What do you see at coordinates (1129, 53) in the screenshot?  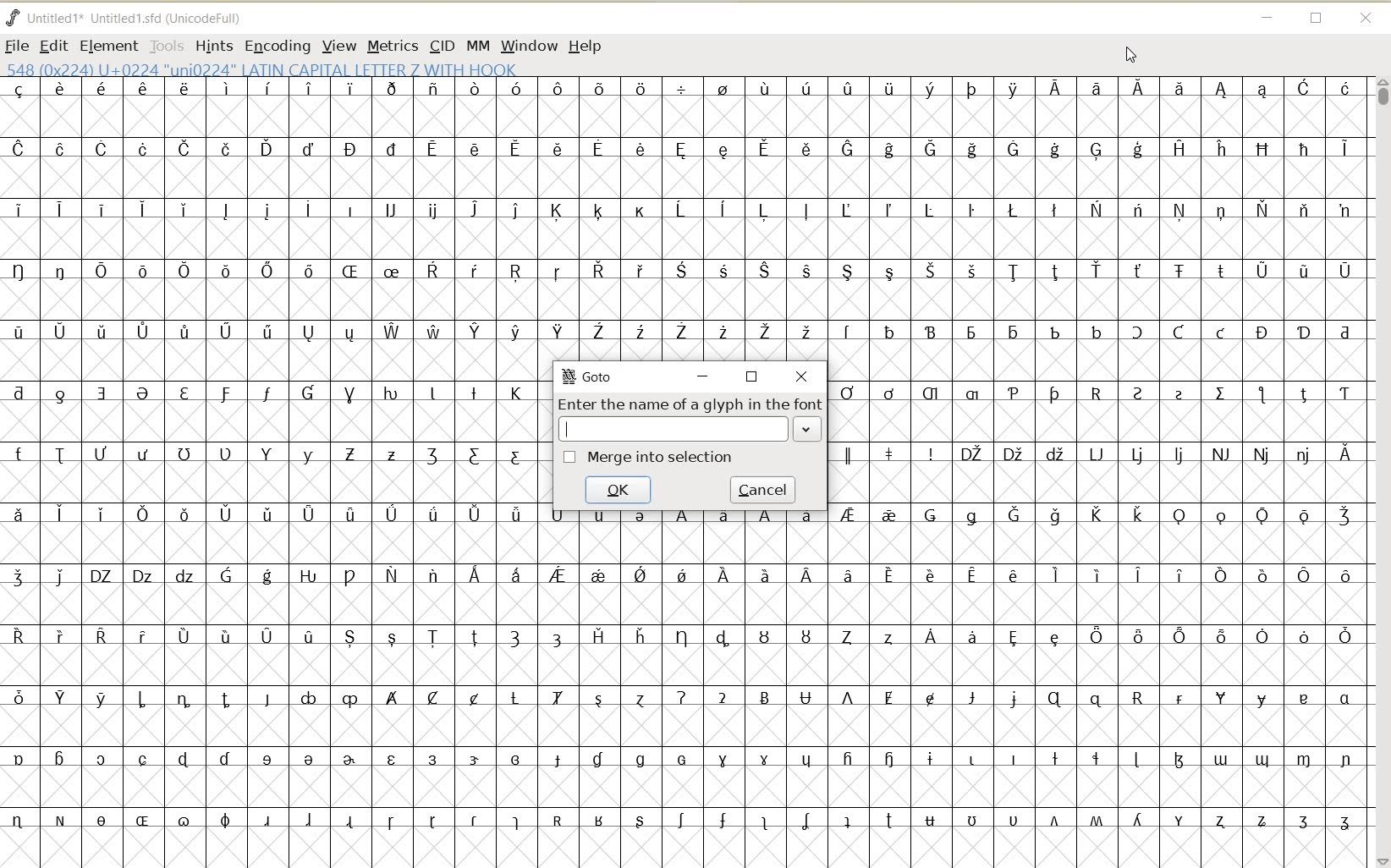 I see `CURSOR` at bounding box center [1129, 53].